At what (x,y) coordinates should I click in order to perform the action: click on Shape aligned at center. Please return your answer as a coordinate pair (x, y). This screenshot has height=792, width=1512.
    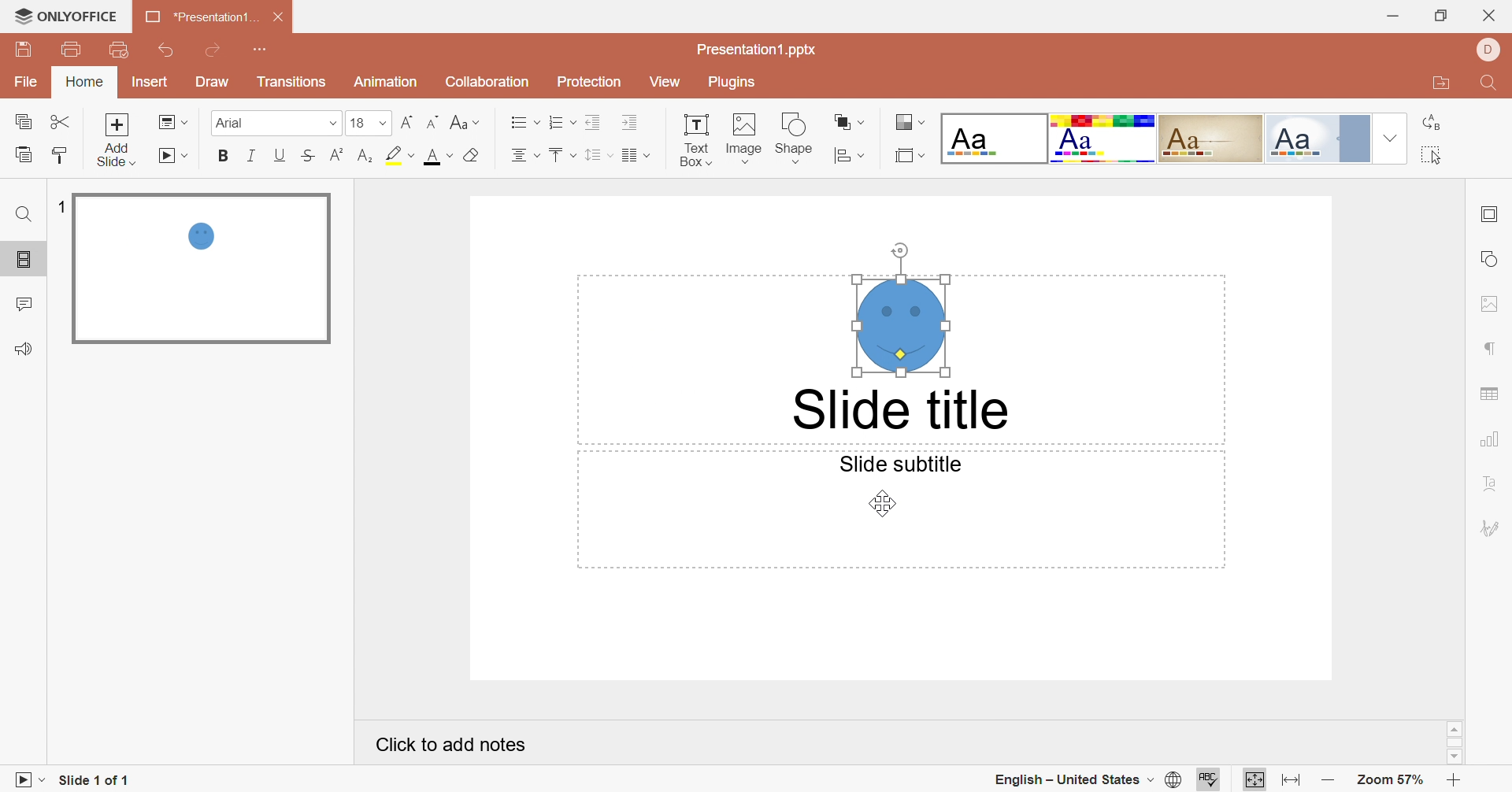
    Looking at the image, I should click on (899, 311).